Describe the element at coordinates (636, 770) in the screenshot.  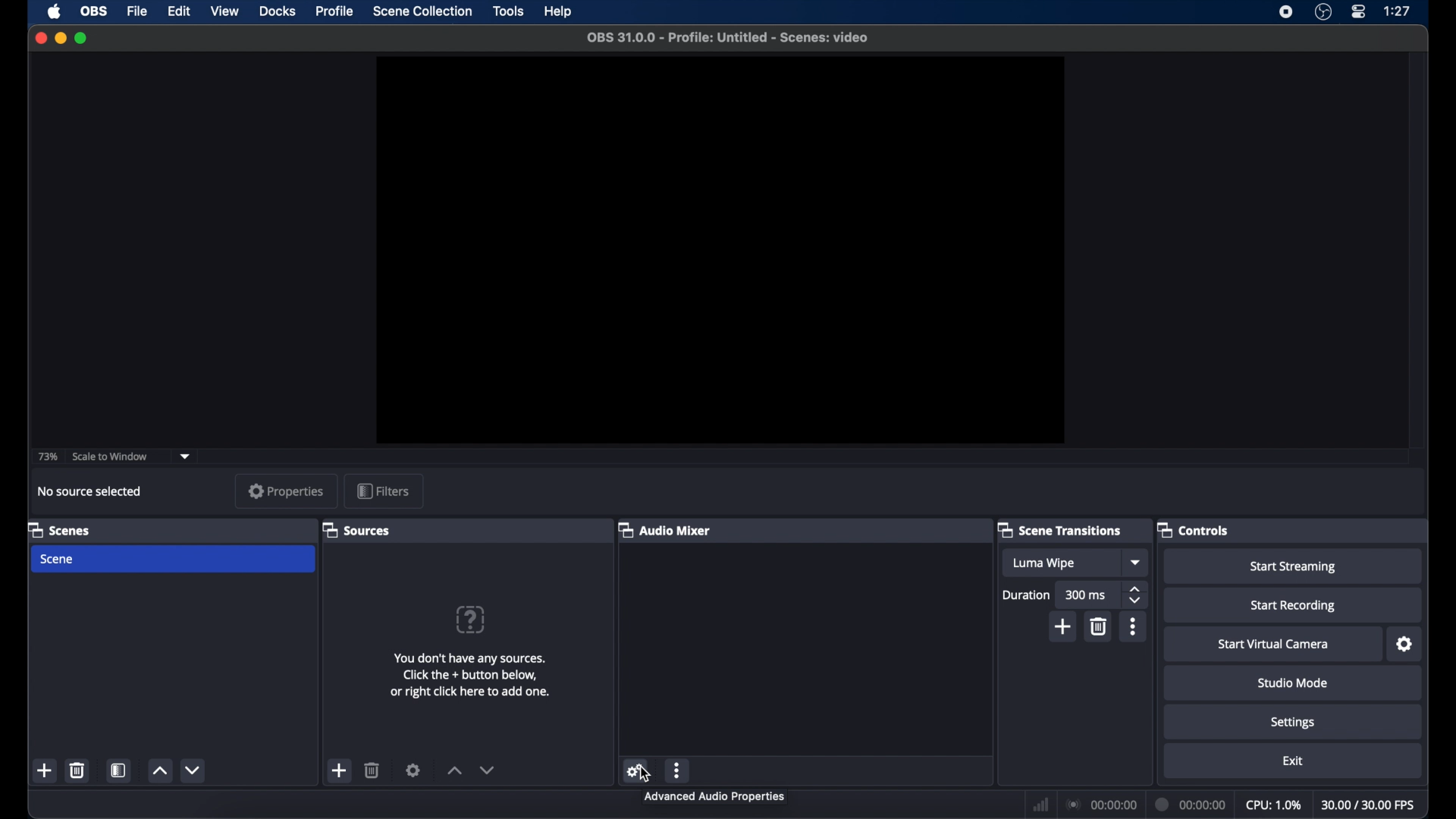
I see `settings` at that location.